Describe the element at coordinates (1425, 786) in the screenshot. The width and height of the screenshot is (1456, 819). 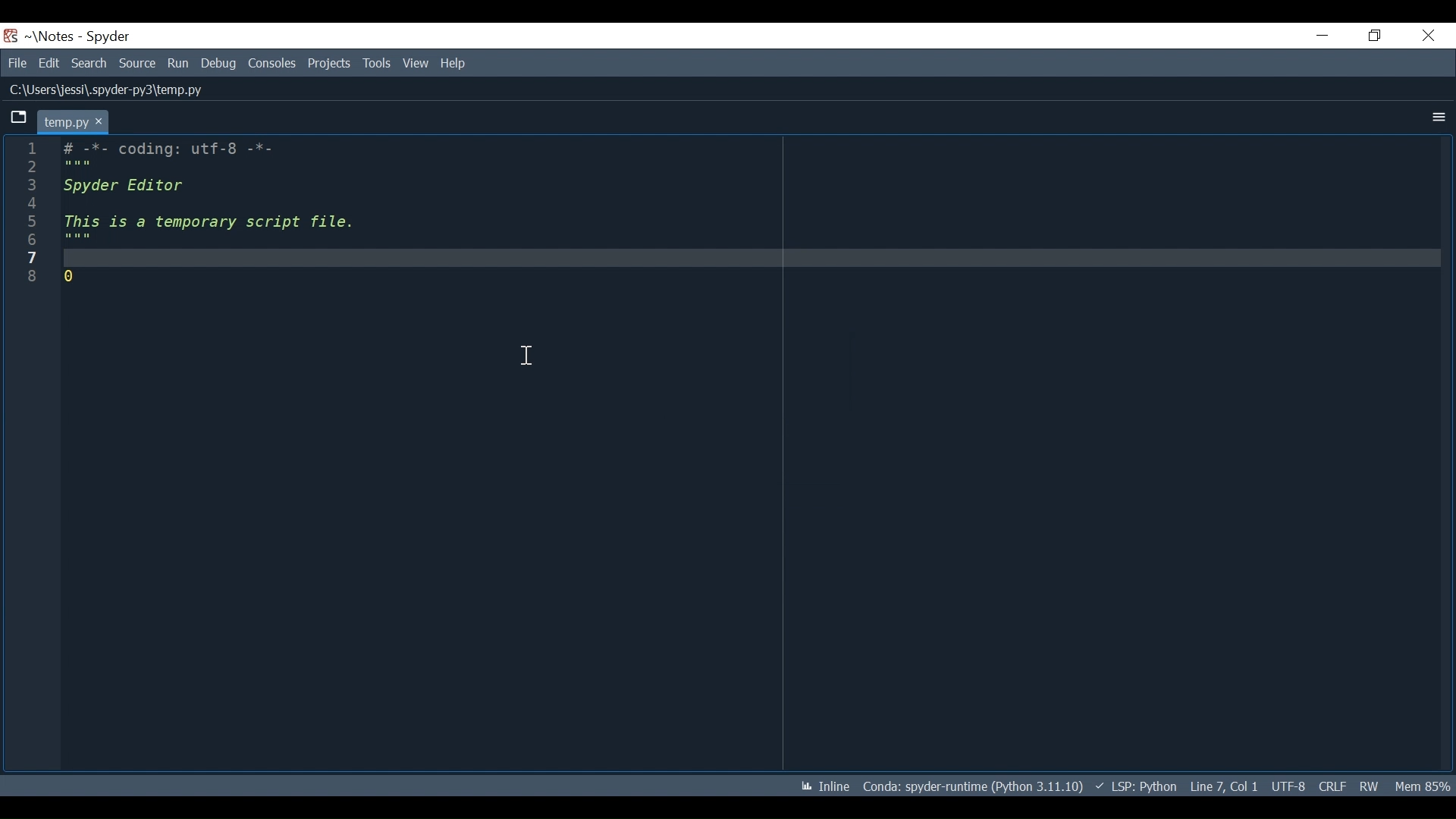
I see `Memory Usage` at that location.